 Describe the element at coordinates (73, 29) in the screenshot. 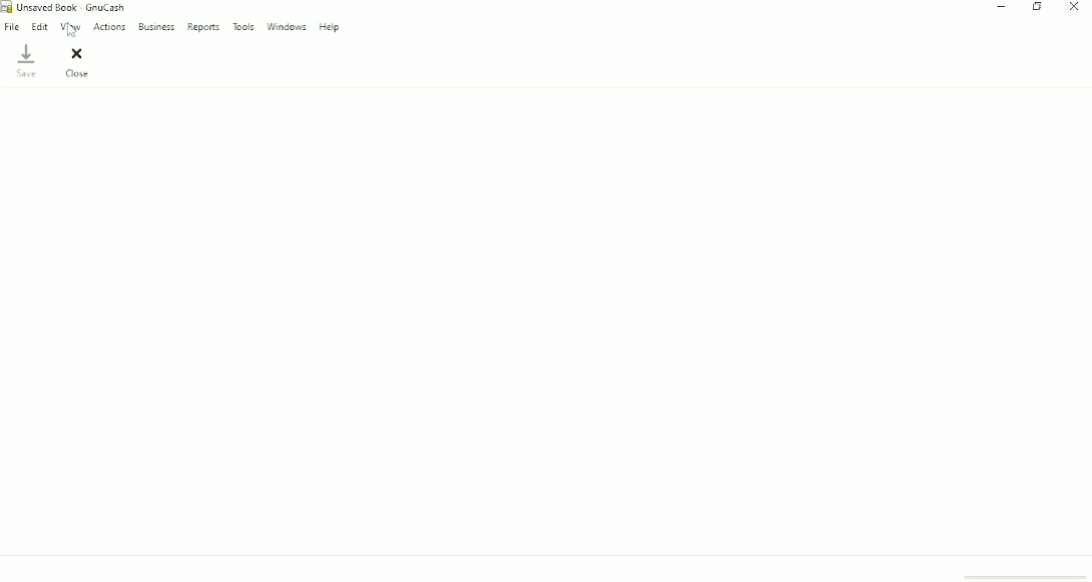

I see `cursor` at that location.